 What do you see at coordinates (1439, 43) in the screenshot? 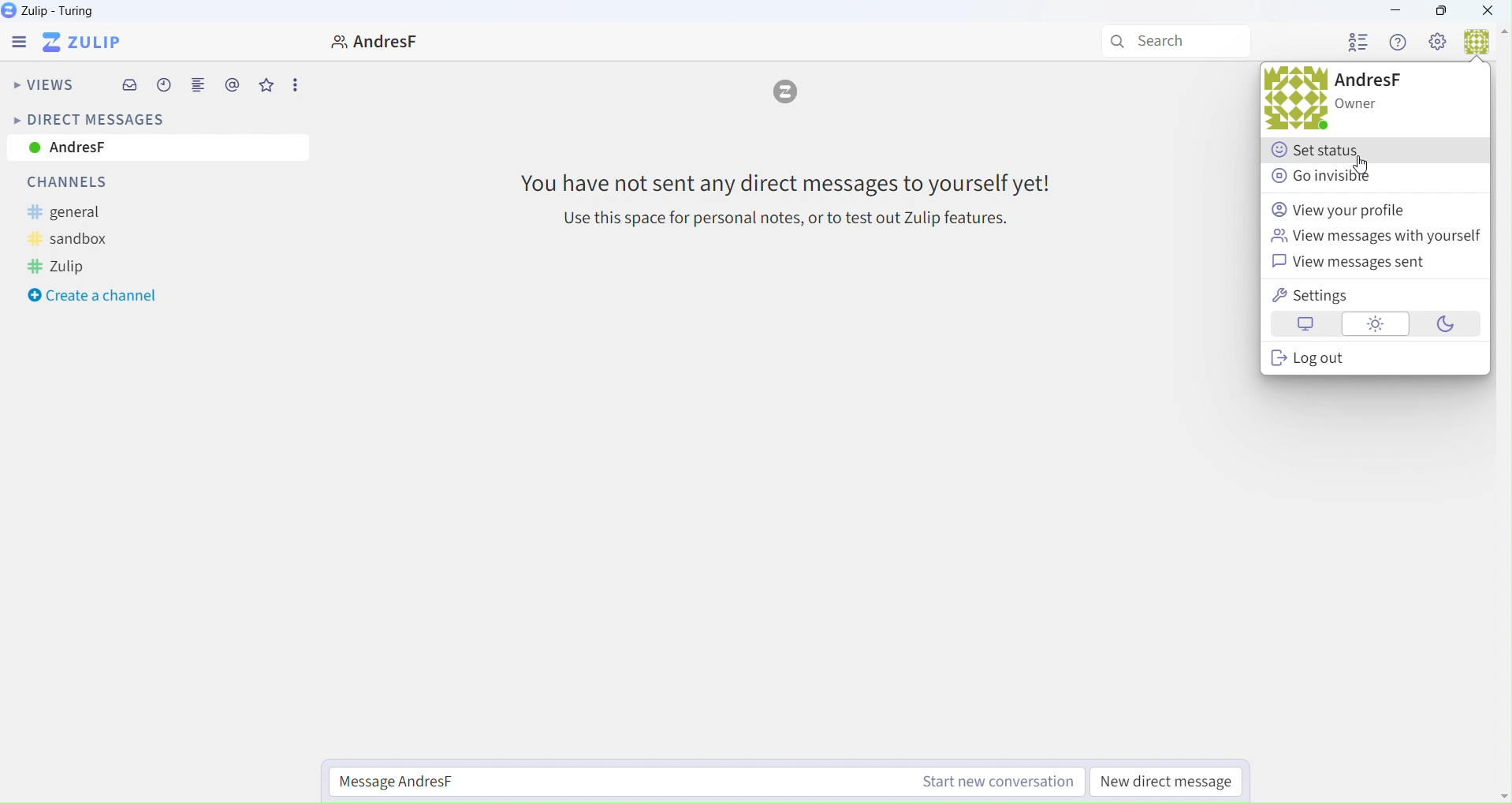
I see `Settings` at bounding box center [1439, 43].